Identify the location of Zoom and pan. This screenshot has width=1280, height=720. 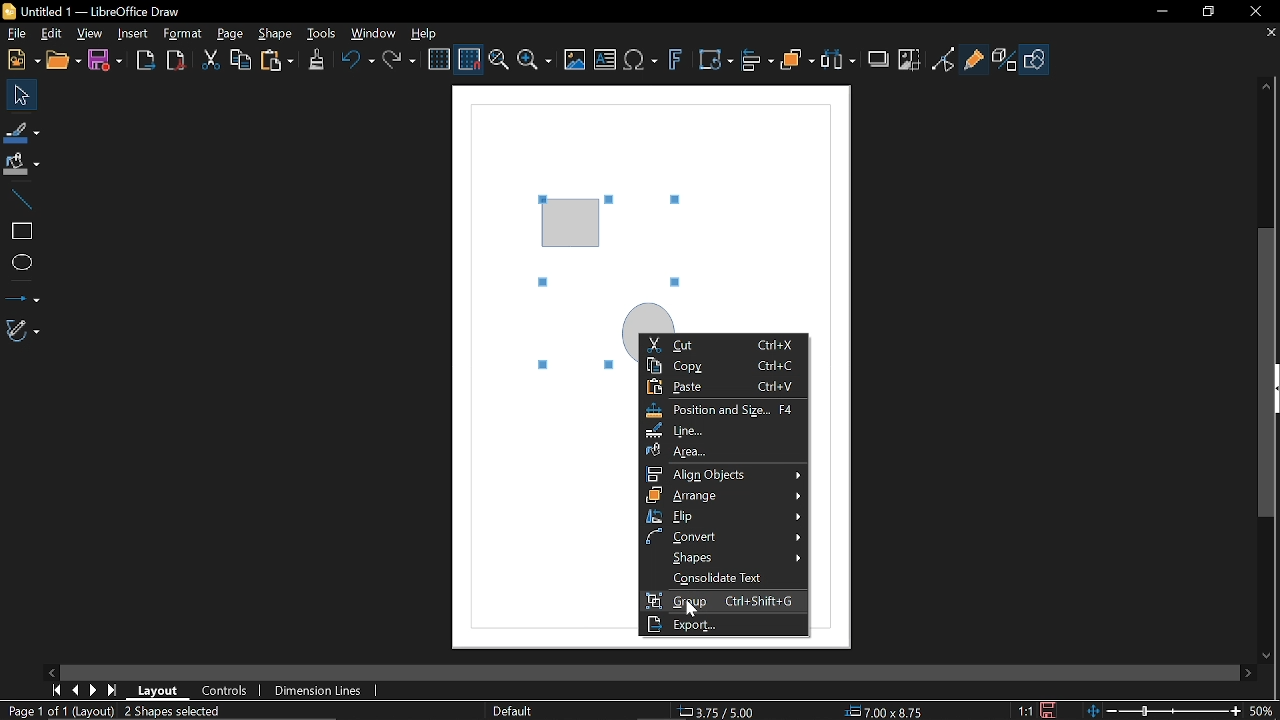
(498, 60).